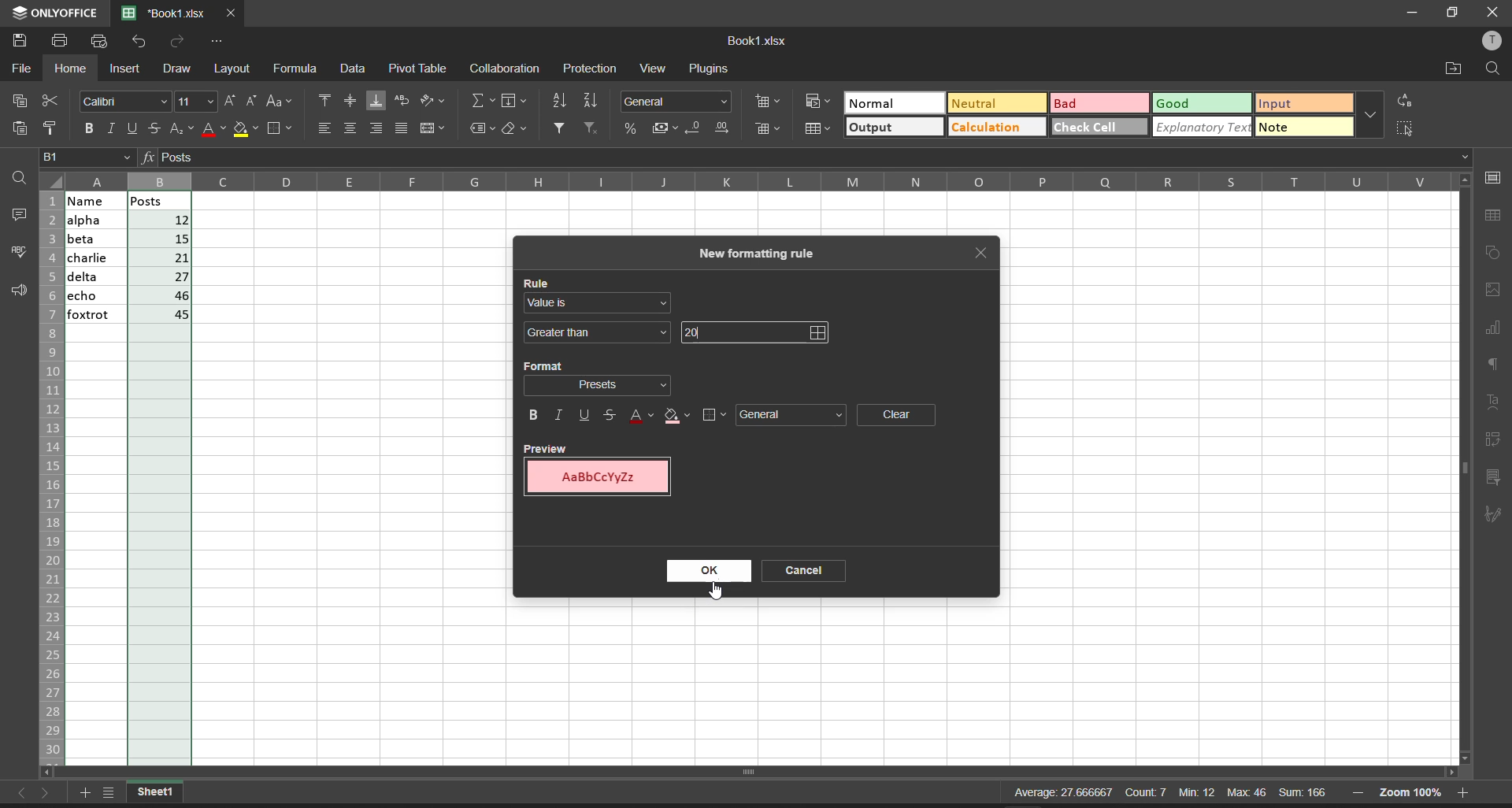 This screenshot has width=1512, height=808. I want to click on insert cells, so click(770, 101).